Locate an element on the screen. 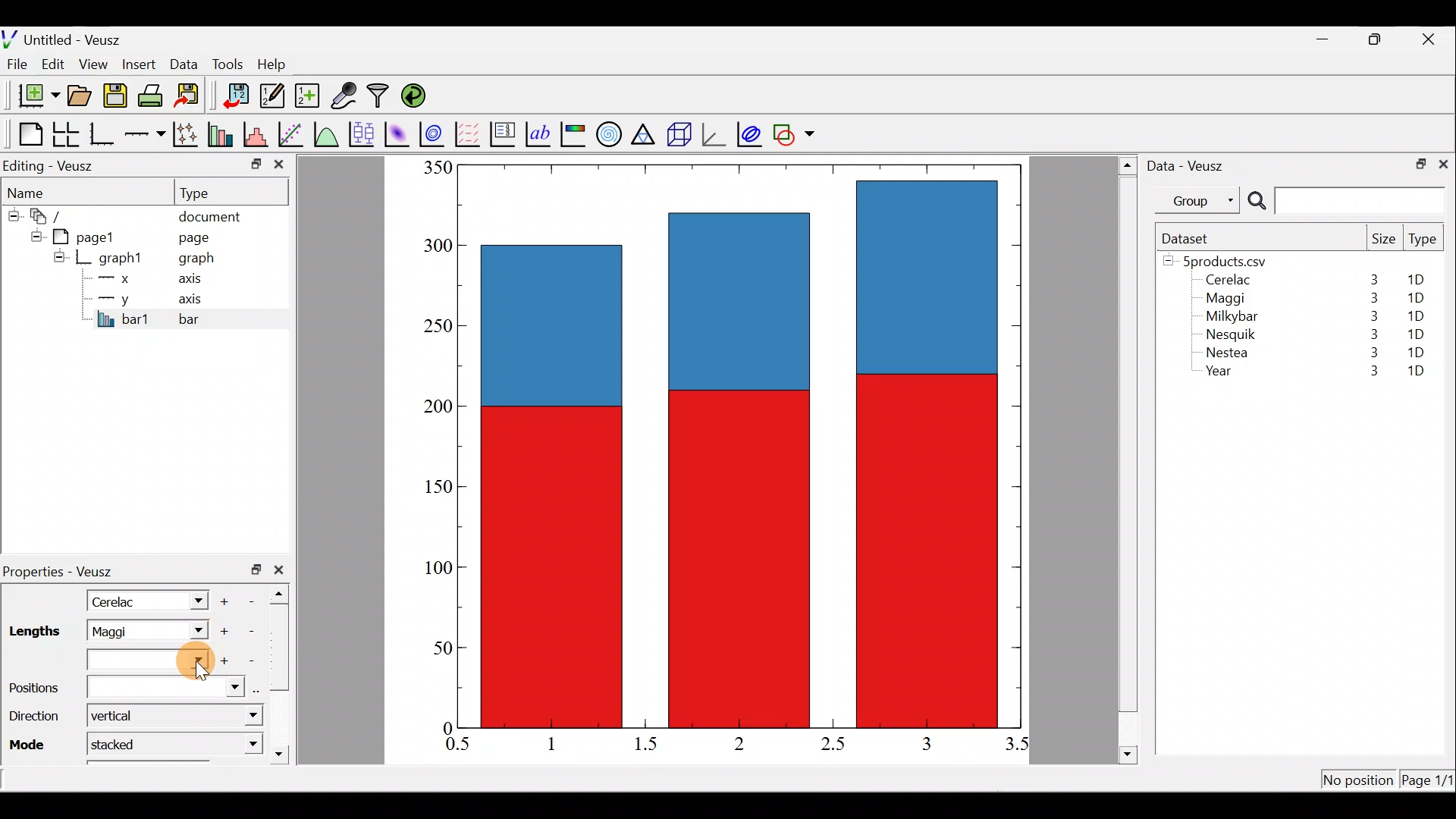 This screenshot has width=1456, height=819. mode dropdown is located at coordinates (237, 743).